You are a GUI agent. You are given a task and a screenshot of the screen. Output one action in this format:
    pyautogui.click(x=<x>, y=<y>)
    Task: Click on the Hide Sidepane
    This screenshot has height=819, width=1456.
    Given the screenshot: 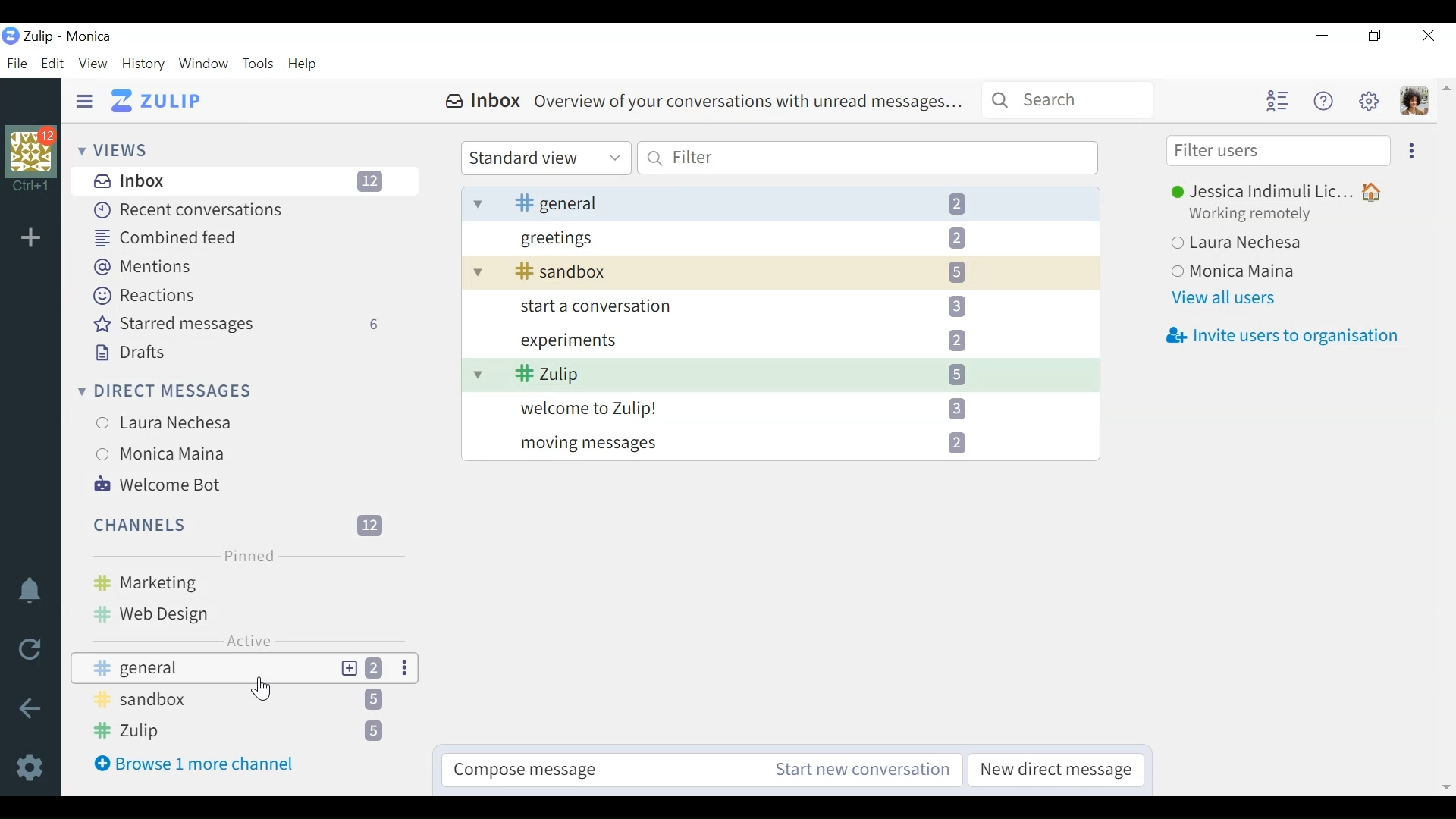 What is the action you would take?
    pyautogui.click(x=85, y=102)
    